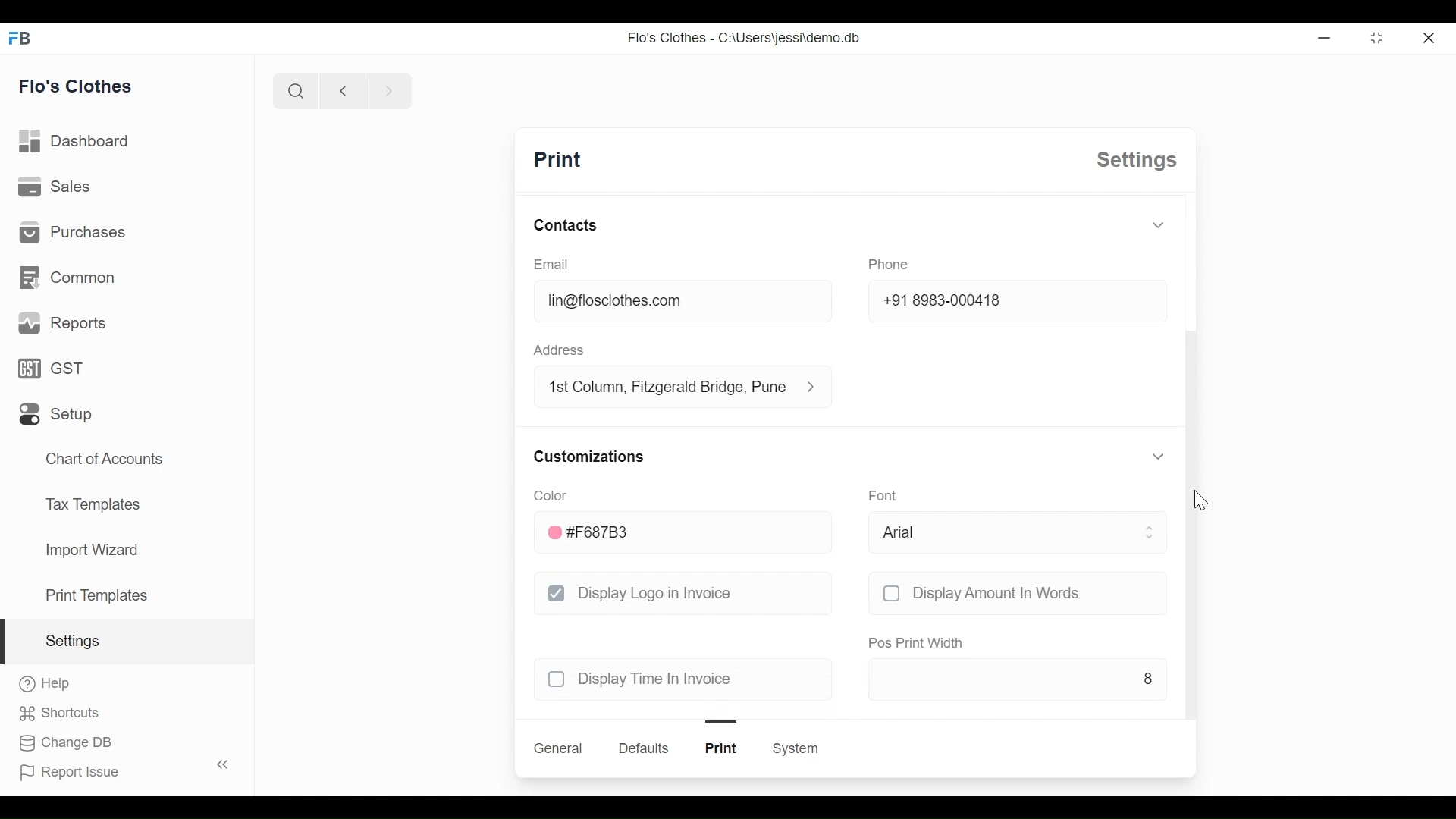  Describe the element at coordinates (1018, 678) in the screenshot. I see `8` at that location.